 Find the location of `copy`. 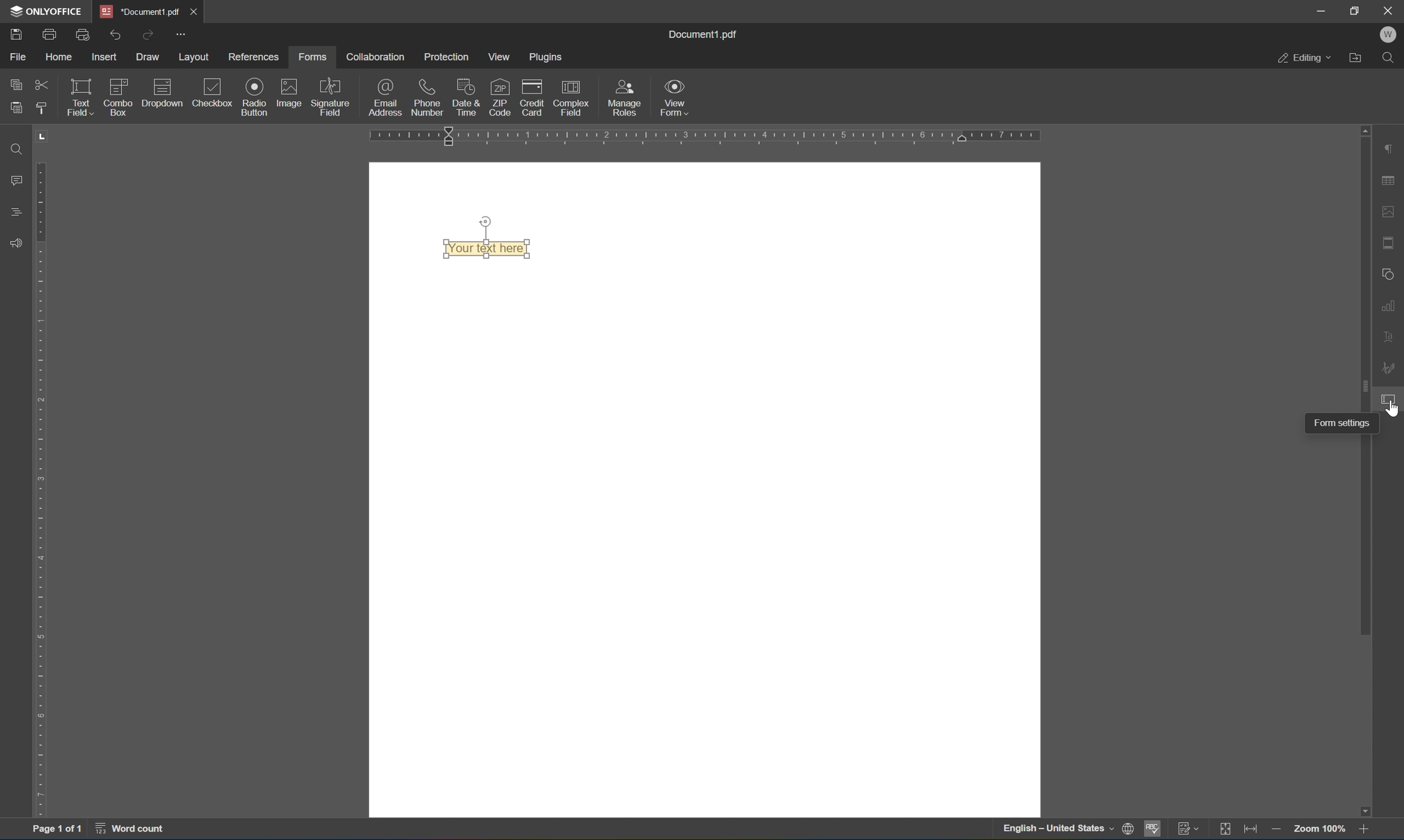

copy is located at coordinates (16, 86).